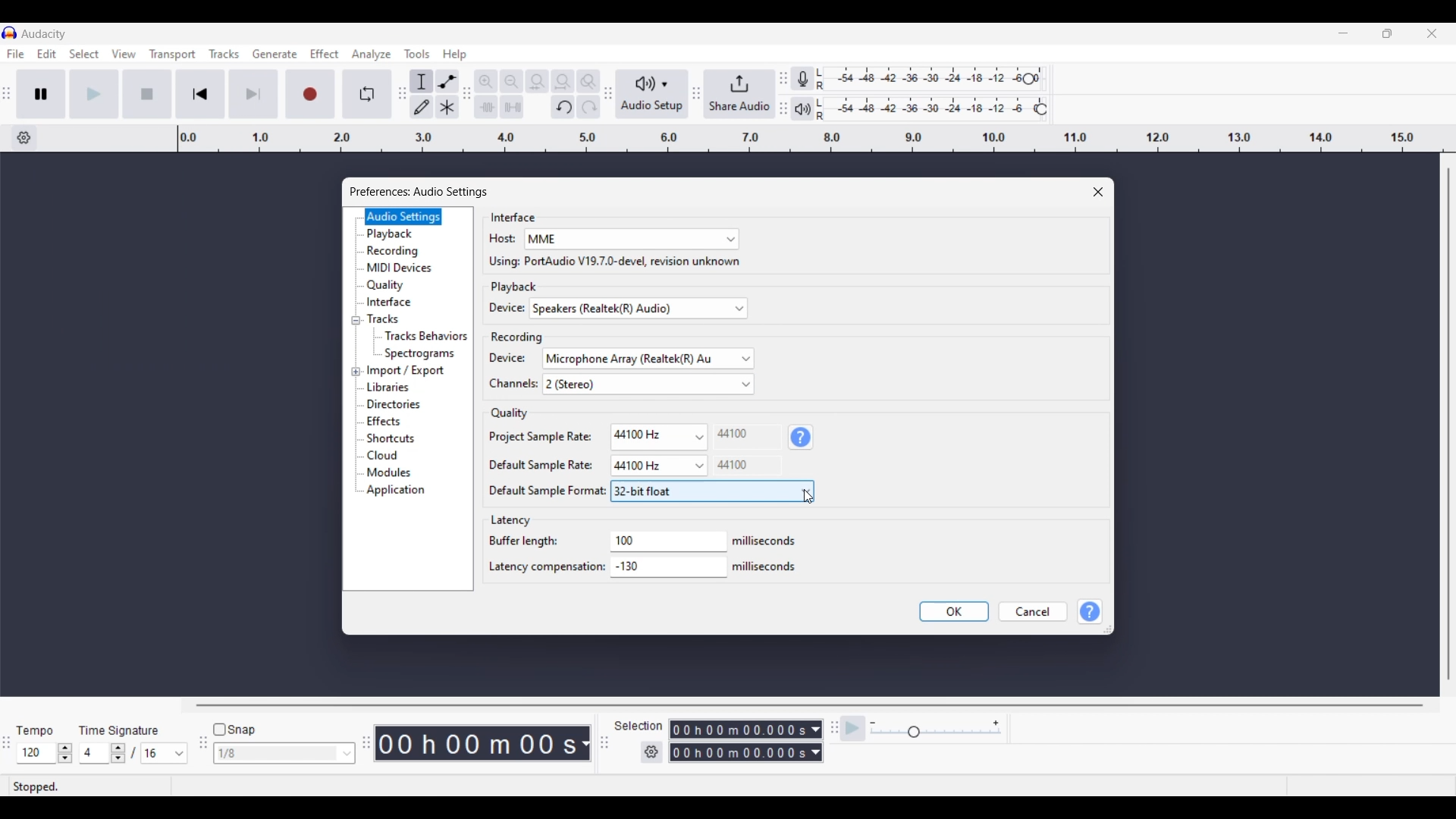 The width and height of the screenshot is (1456, 819). I want to click on Increase/Decrease time signature, so click(118, 753).